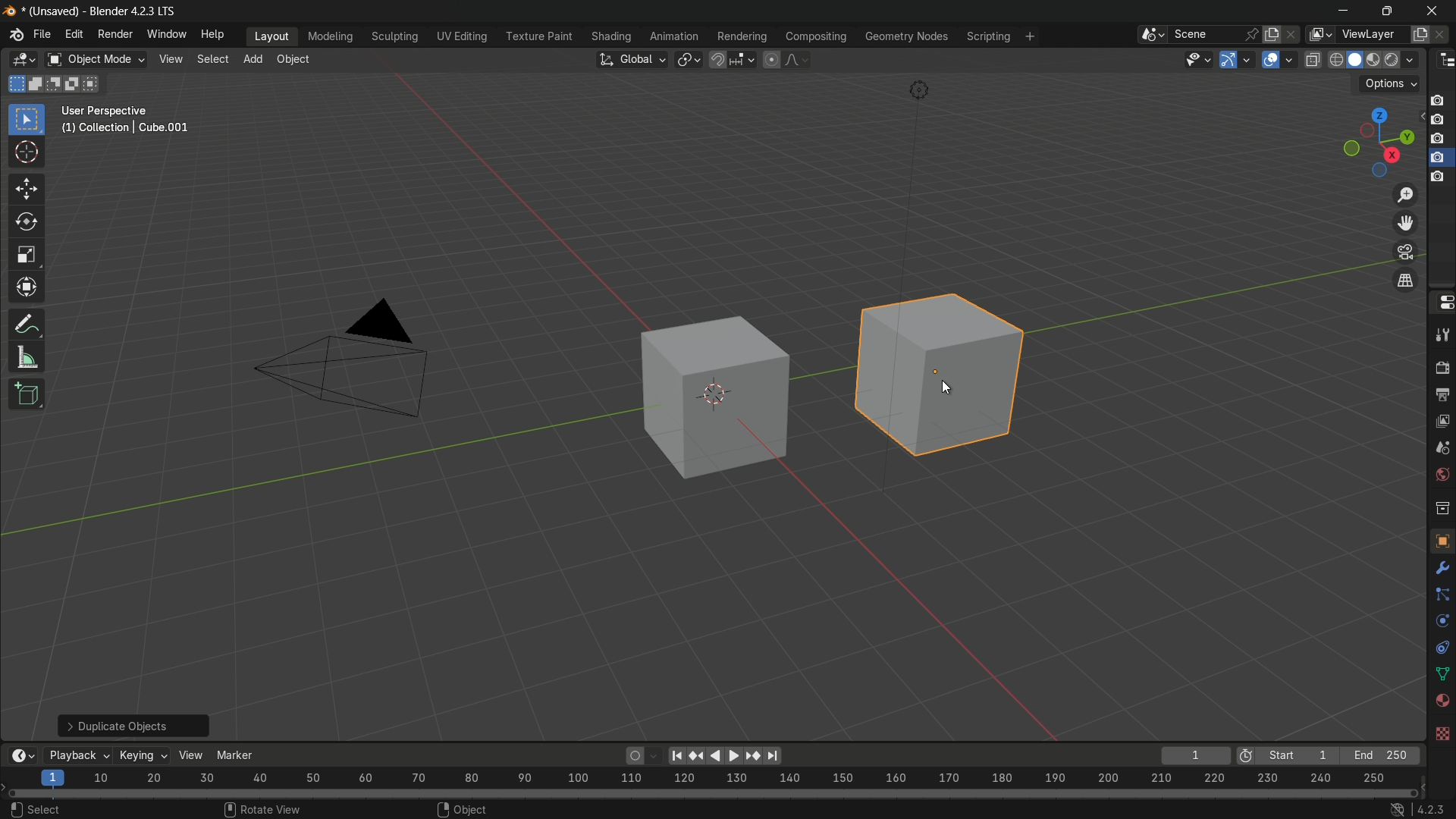 The height and width of the screenshot is (819, 1456). What do you see at coordinates (1444, 61) in the screenshot?
I see `editor type` at bounding box center [1444, 61].